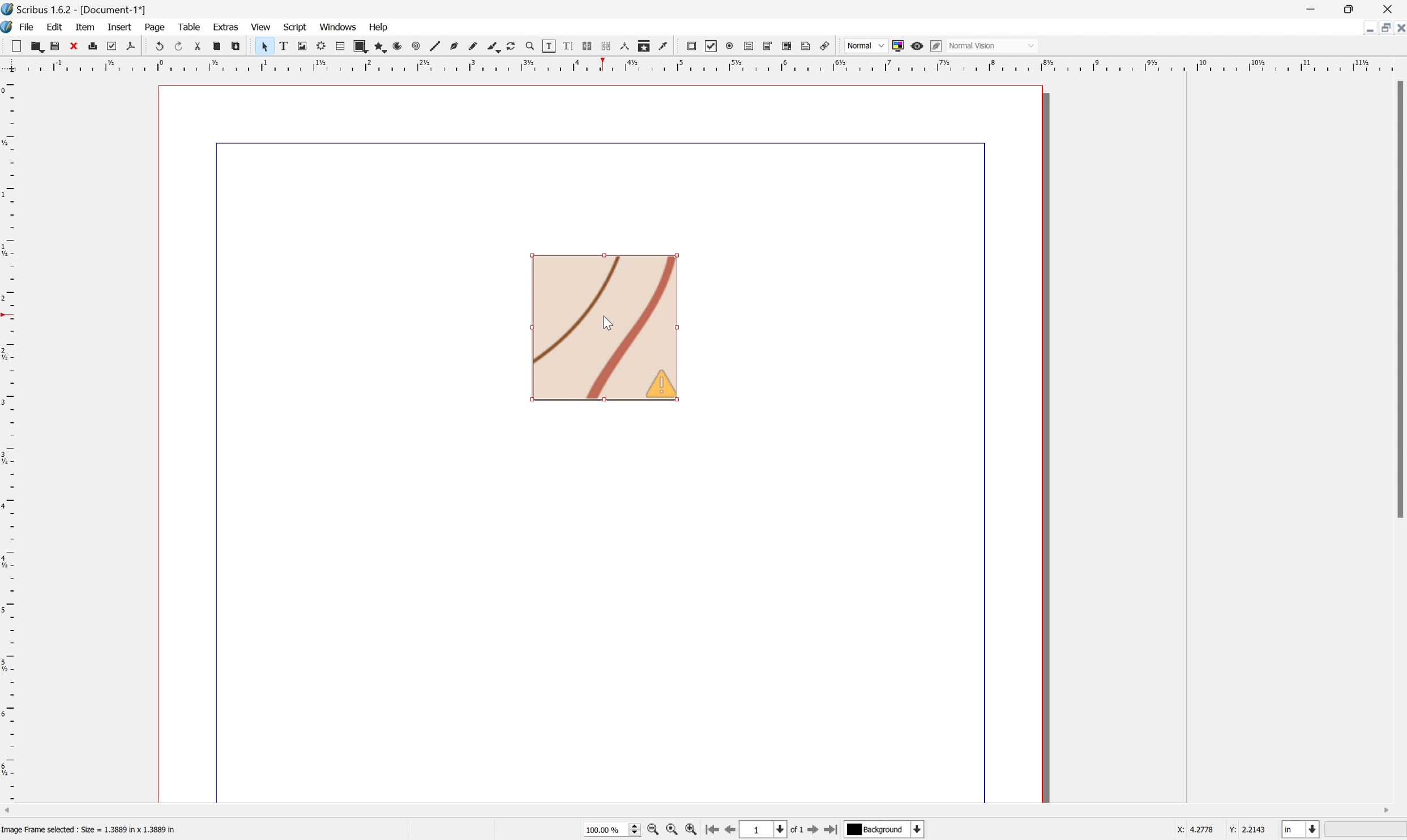 The image size is (1407, 840). Describe the element at coordinates (702, 66) in the screenshot. I see `Horizontal Margin` at that location.